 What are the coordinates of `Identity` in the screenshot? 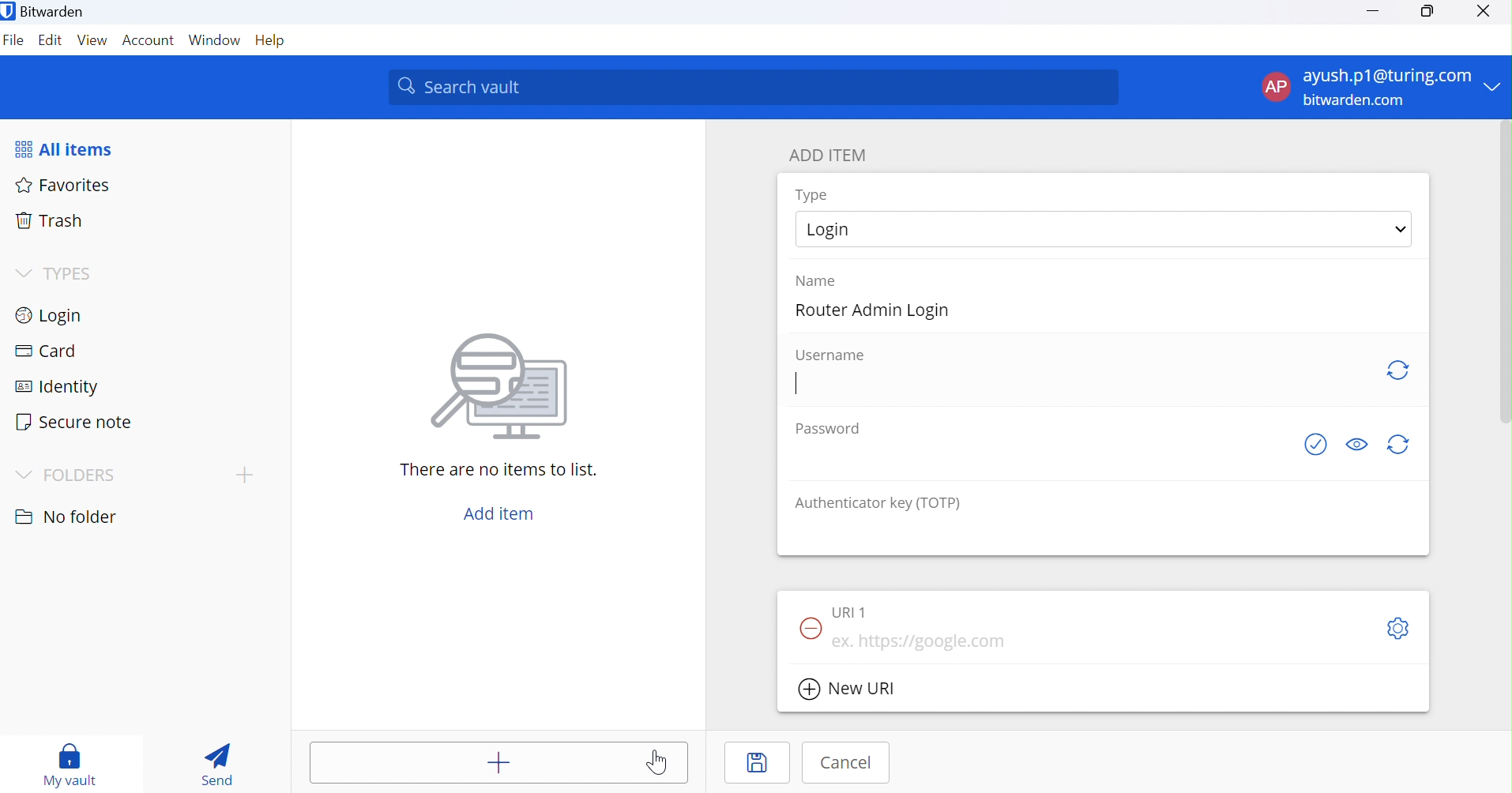 It's located at (65, 385).